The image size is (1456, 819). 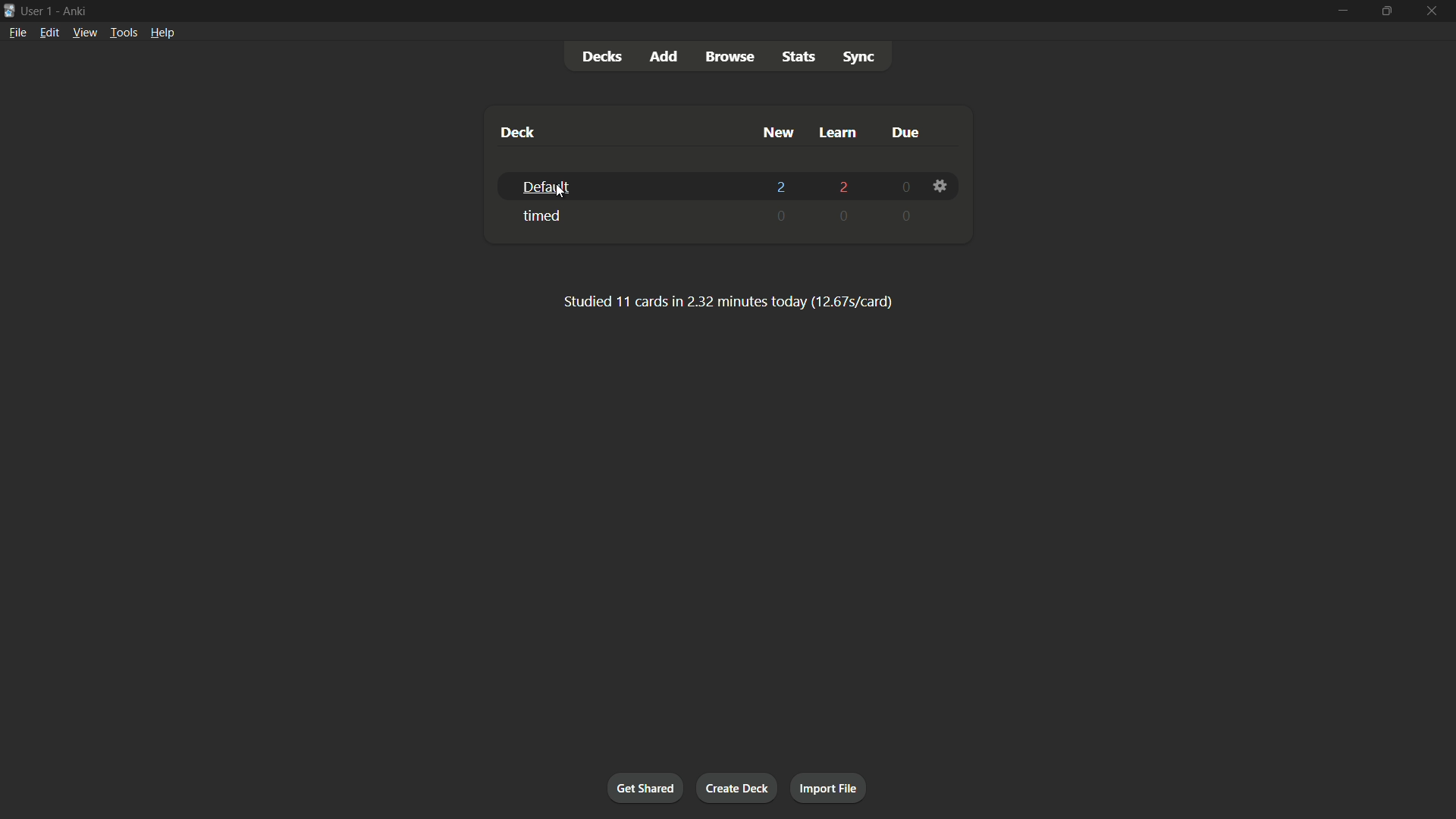 I want to click on file, so click(x=17, y=33).